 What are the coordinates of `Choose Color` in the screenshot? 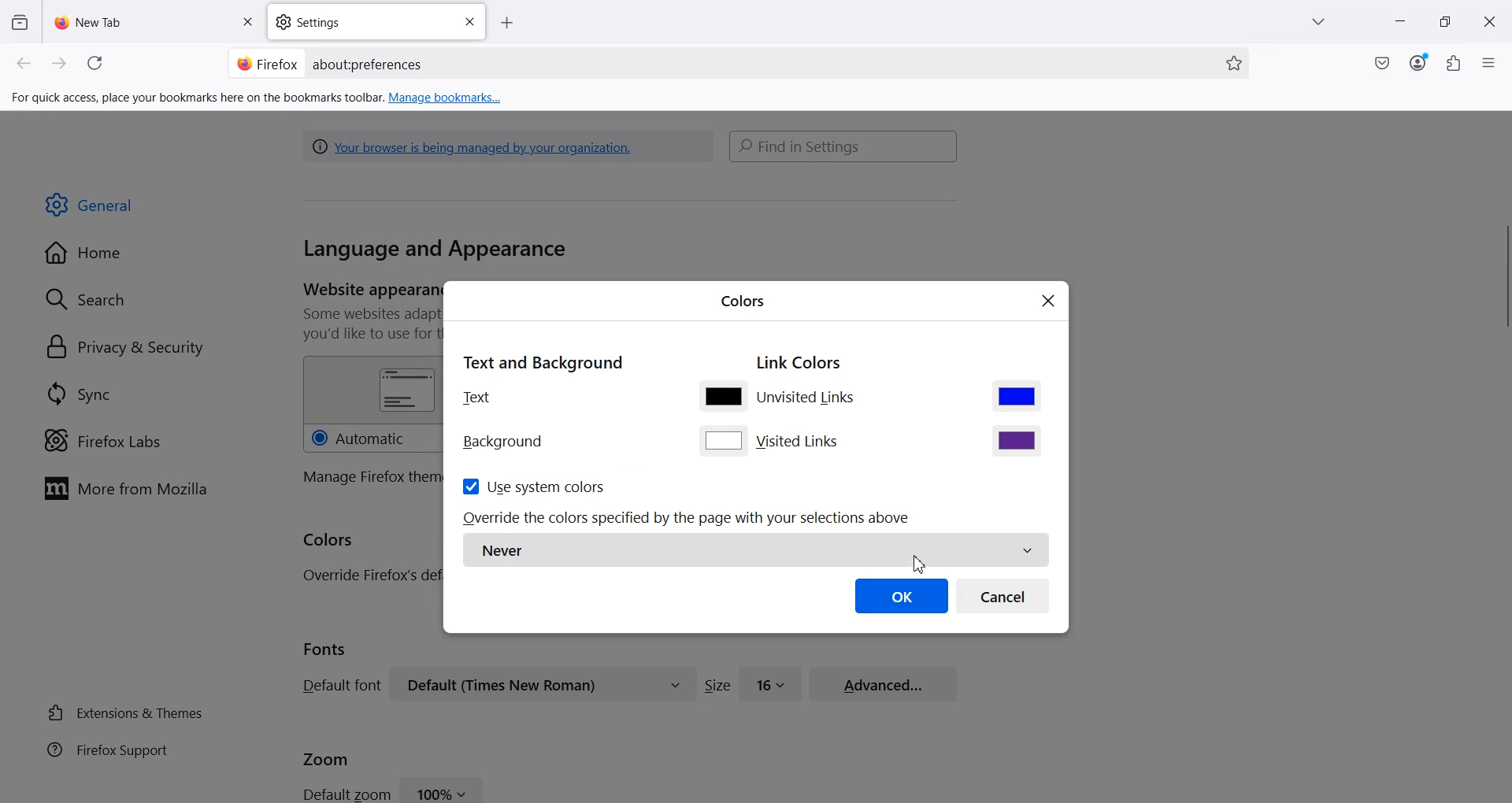 It's located at (724, 440).